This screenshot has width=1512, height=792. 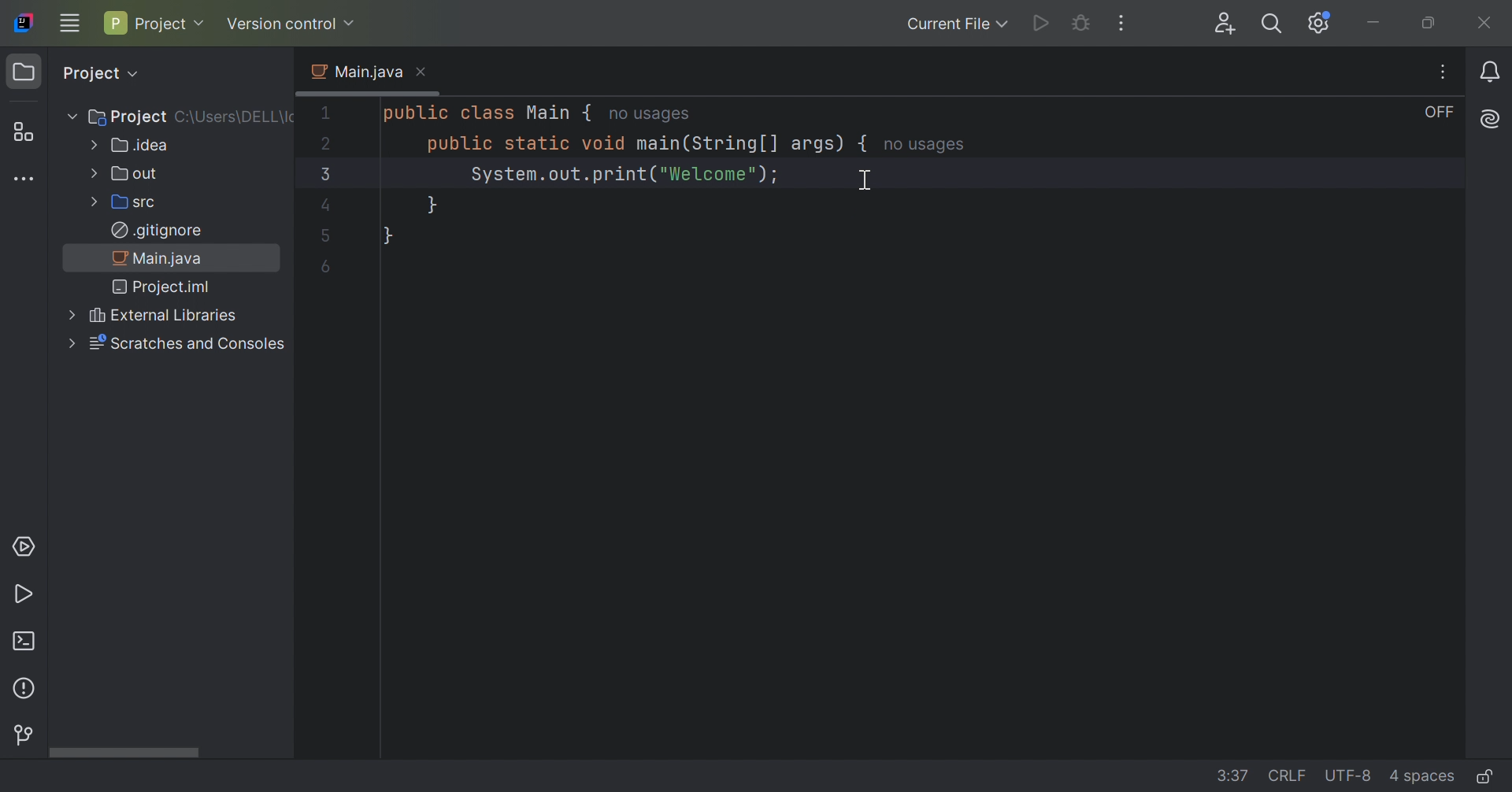 What do you see at coordinates (113, 23) in the screenshot?
I see `P` at bounding box center [113, 23].